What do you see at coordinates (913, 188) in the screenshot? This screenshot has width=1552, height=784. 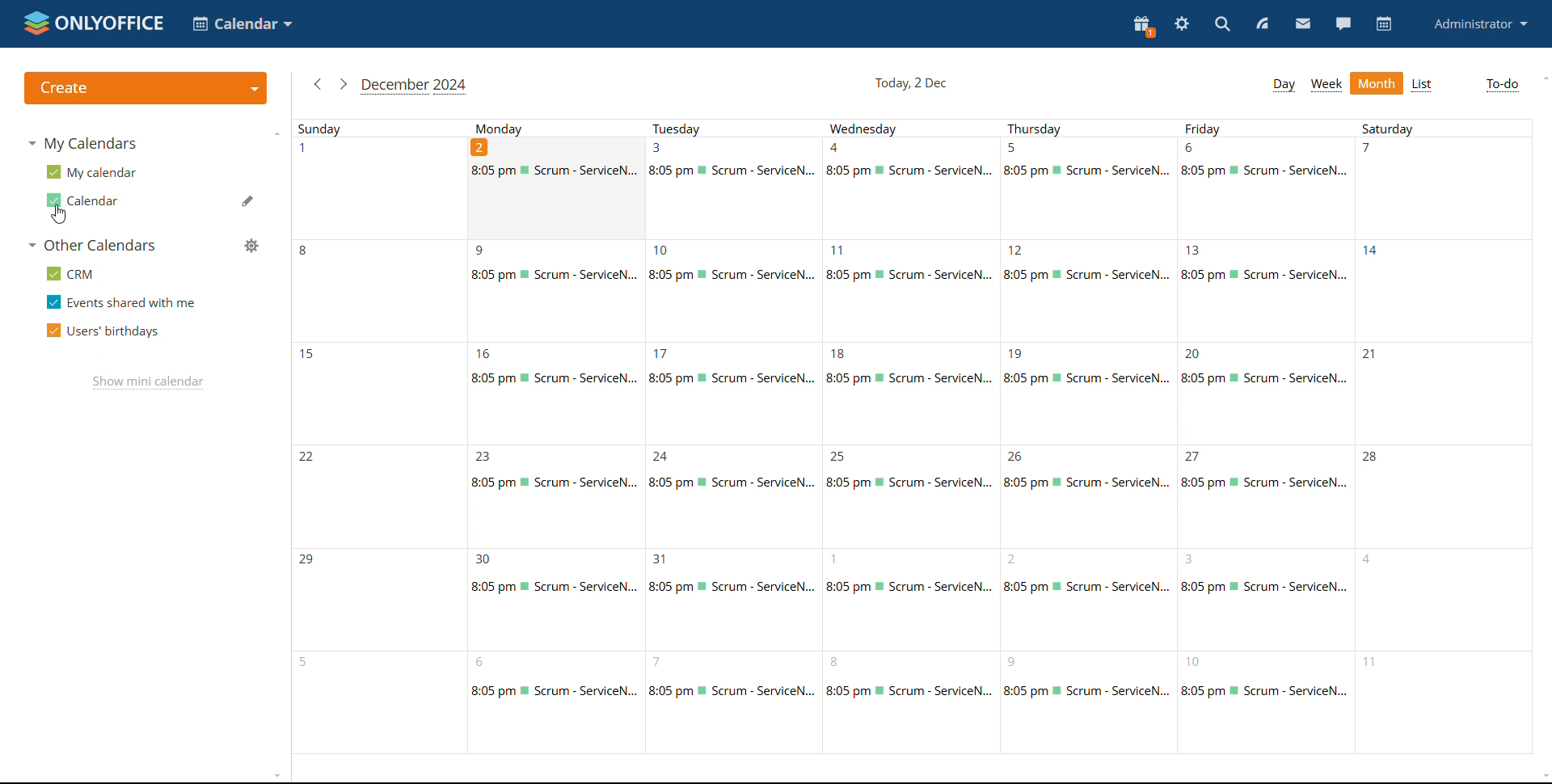 I see `4` at bounding box center [913, 188].